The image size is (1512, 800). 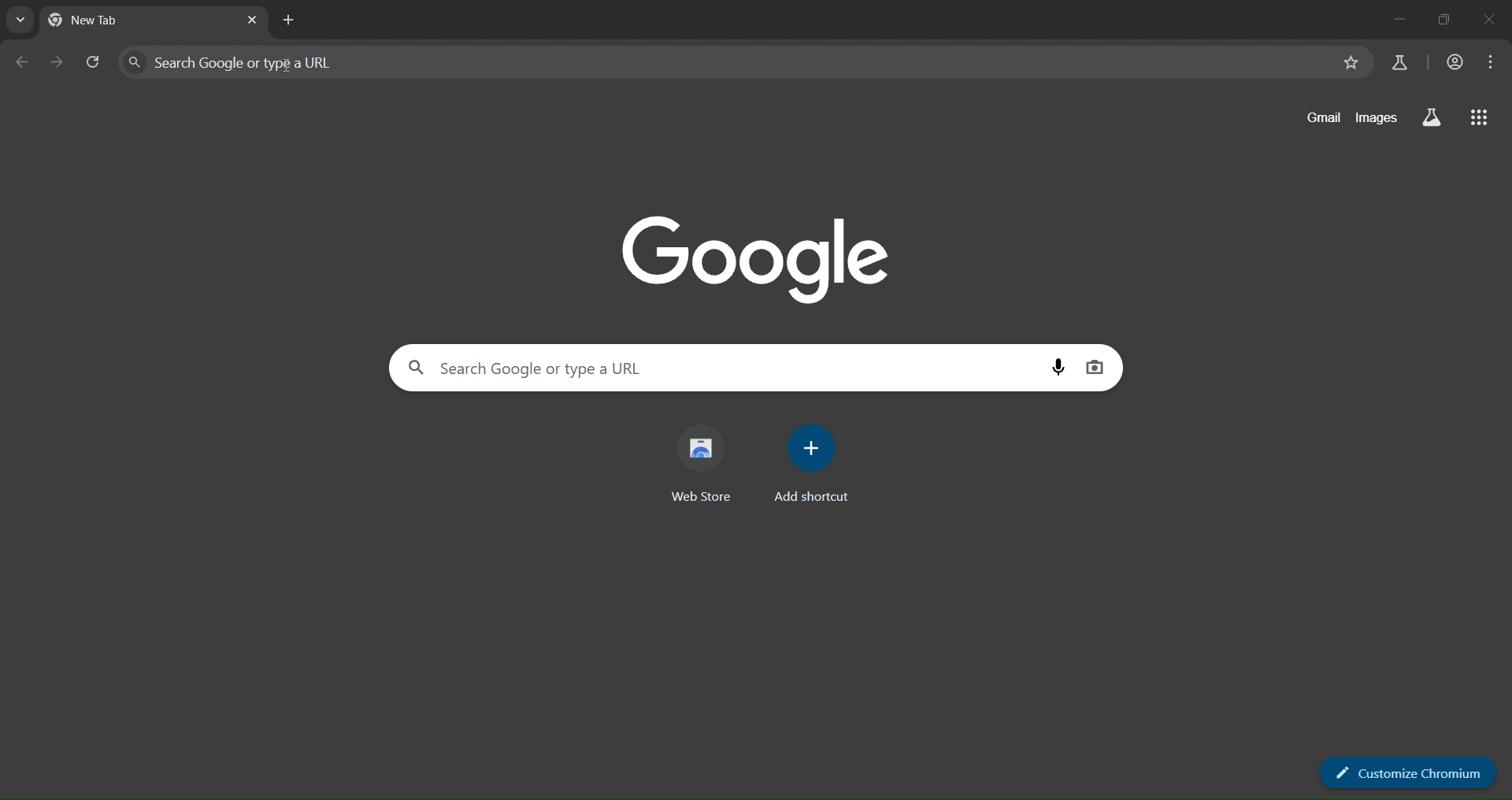 What do you see at coordinates (21, 65) in the screenshot?
I see `go back one page` at bounding box center [21, 65].